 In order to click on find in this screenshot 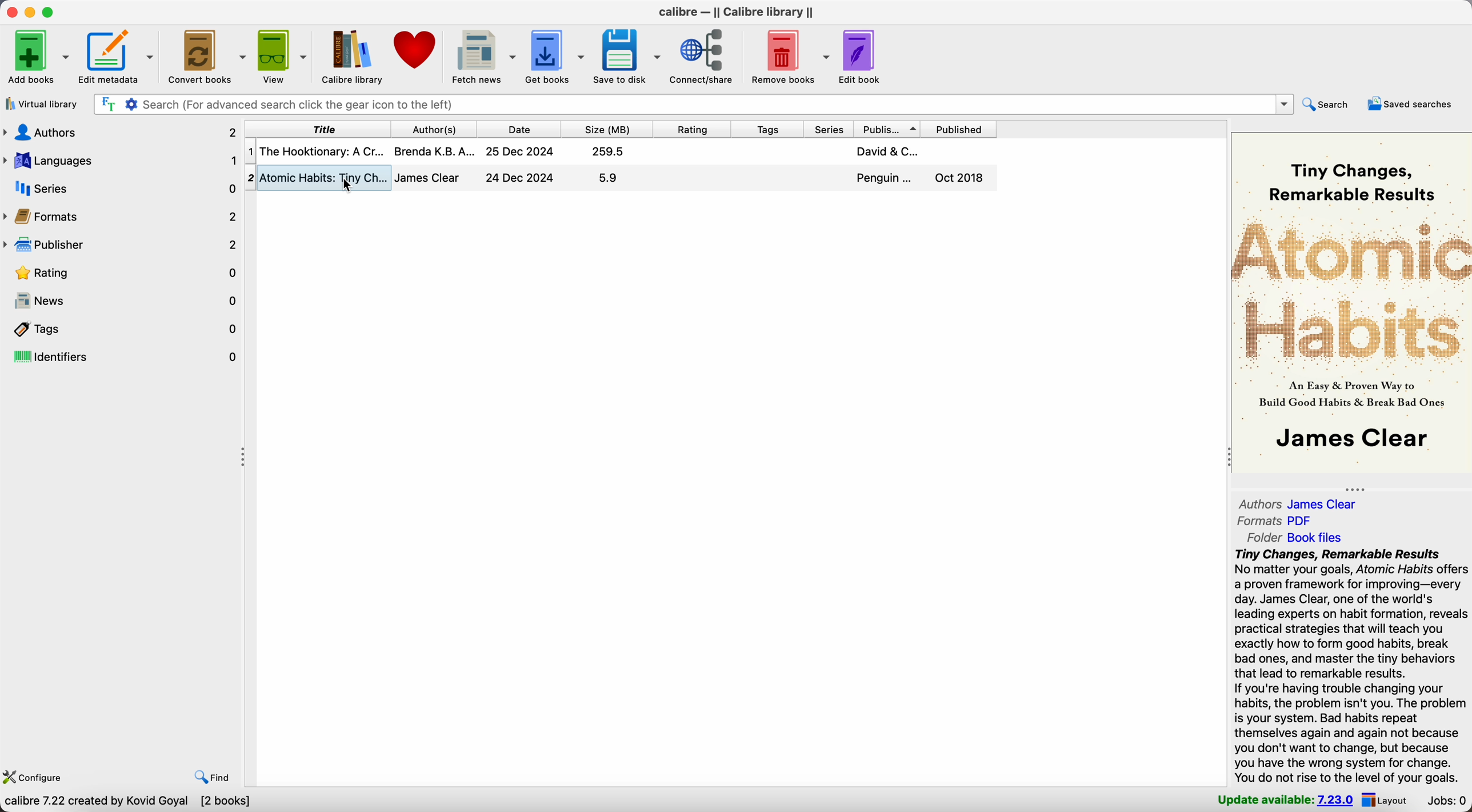, I will do `click(211, 778)`.